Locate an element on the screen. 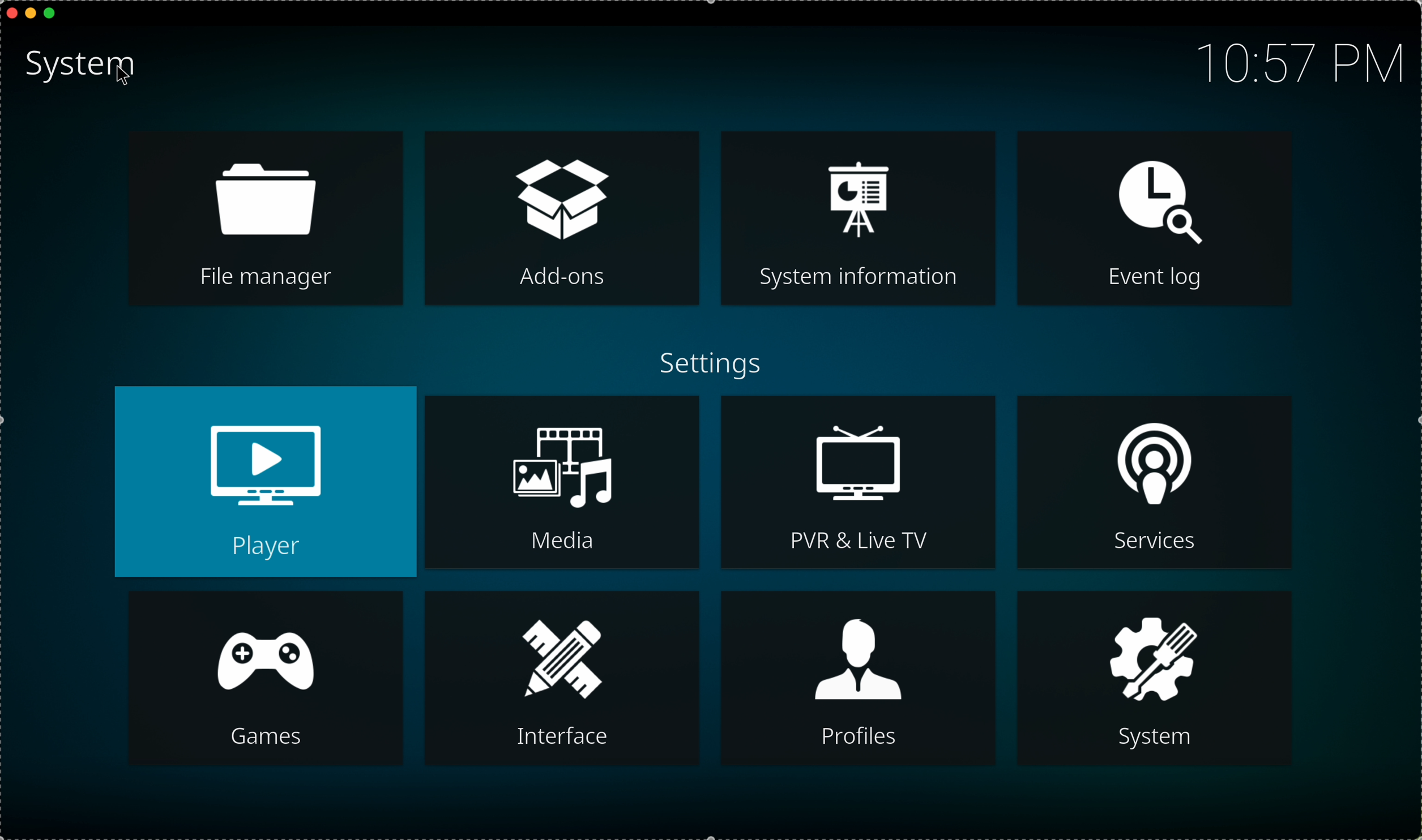 The image size is (1422, 840). profiles is located at coordinates (857, 676).